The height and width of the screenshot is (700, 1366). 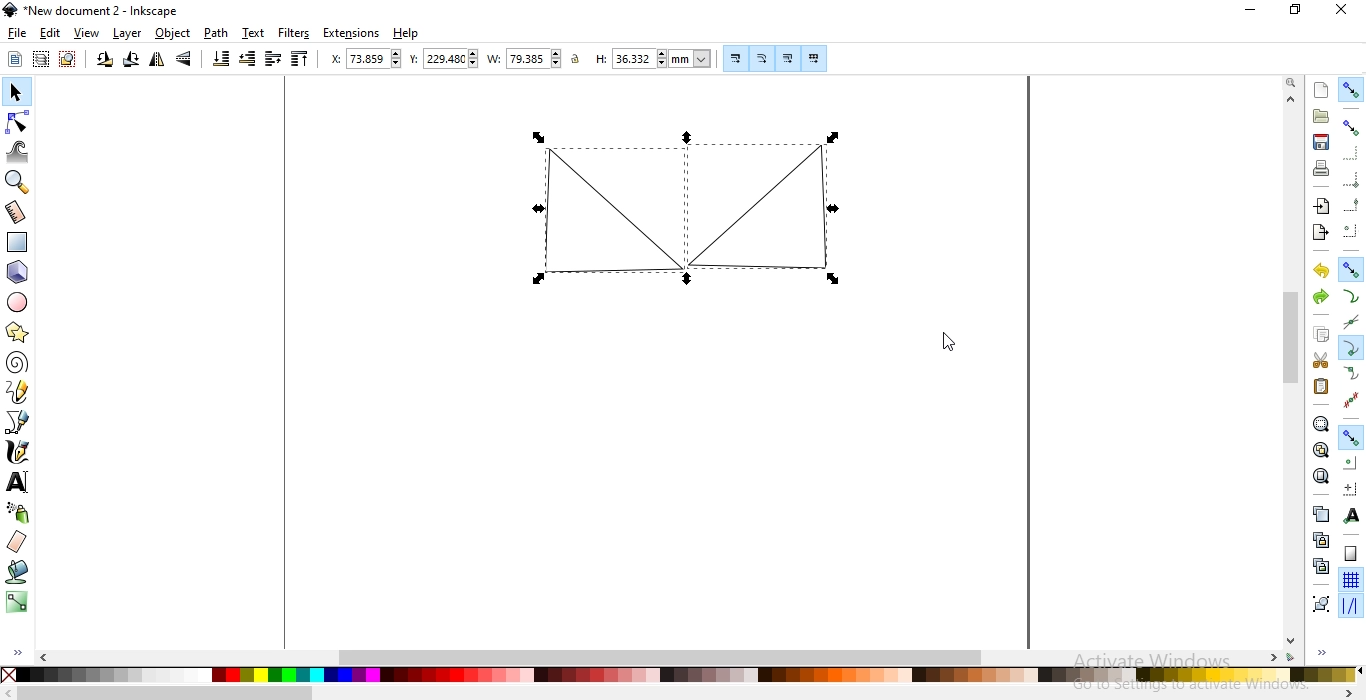 I want to click on edit, so click(x=48, y=33).